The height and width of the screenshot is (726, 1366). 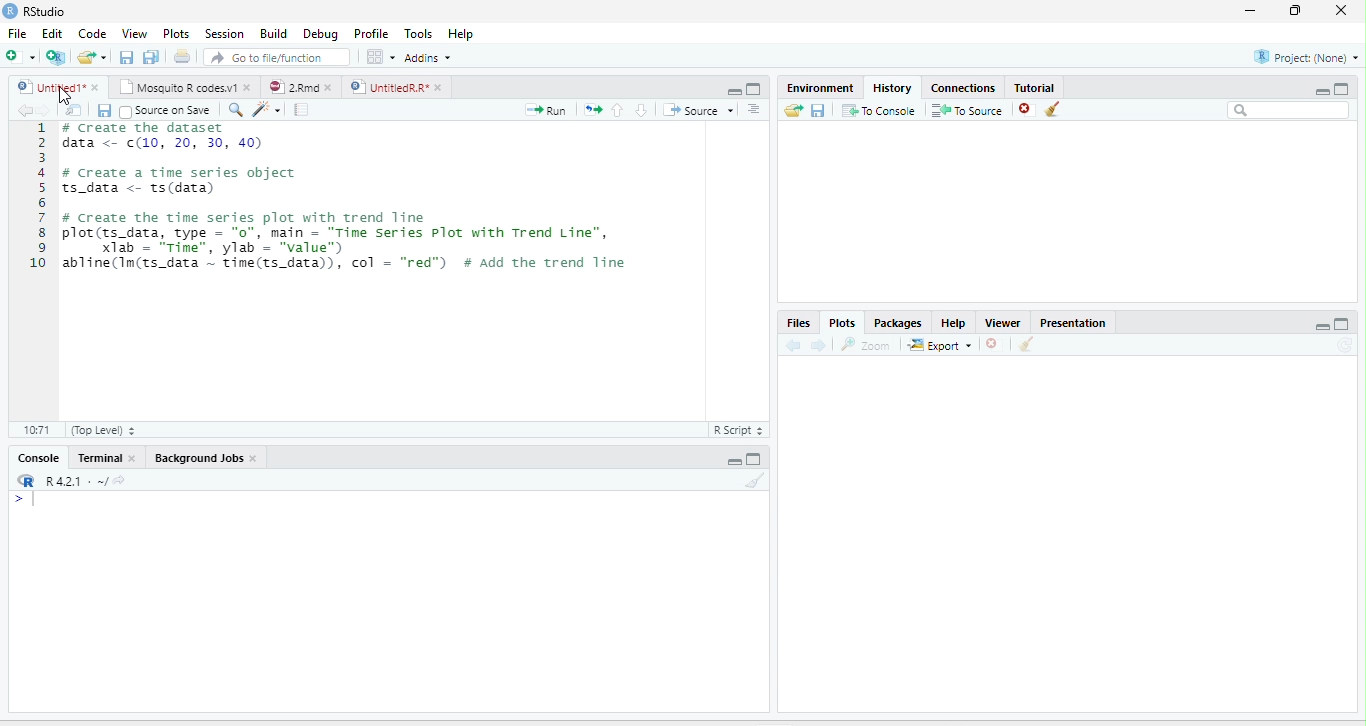 I want to click on Open recent files, so click(x=104, y=57).